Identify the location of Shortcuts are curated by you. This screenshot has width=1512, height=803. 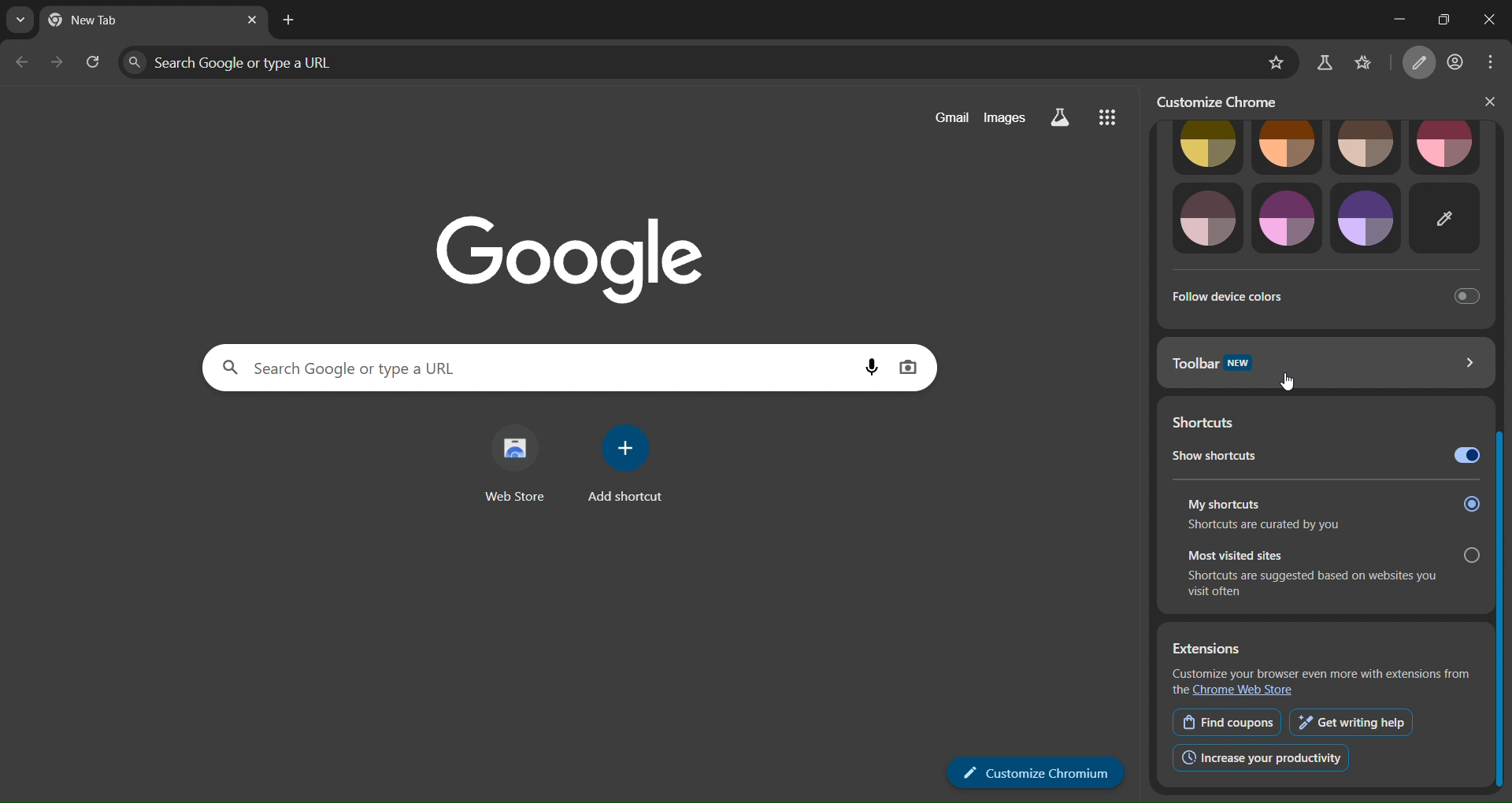
(1272, 527).